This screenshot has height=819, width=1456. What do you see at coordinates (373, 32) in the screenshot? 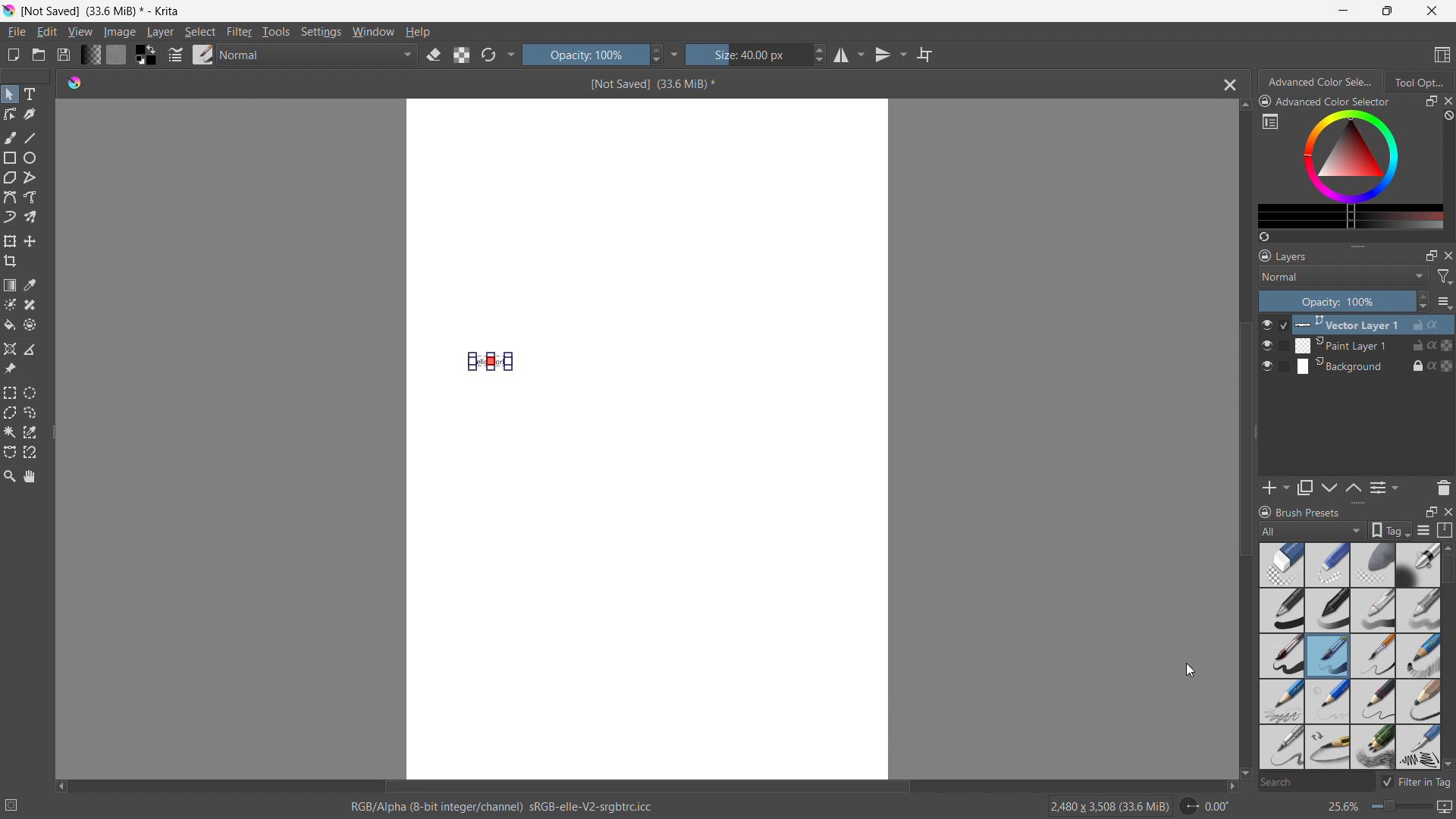
I see `window` at bounding box center [373, 32].